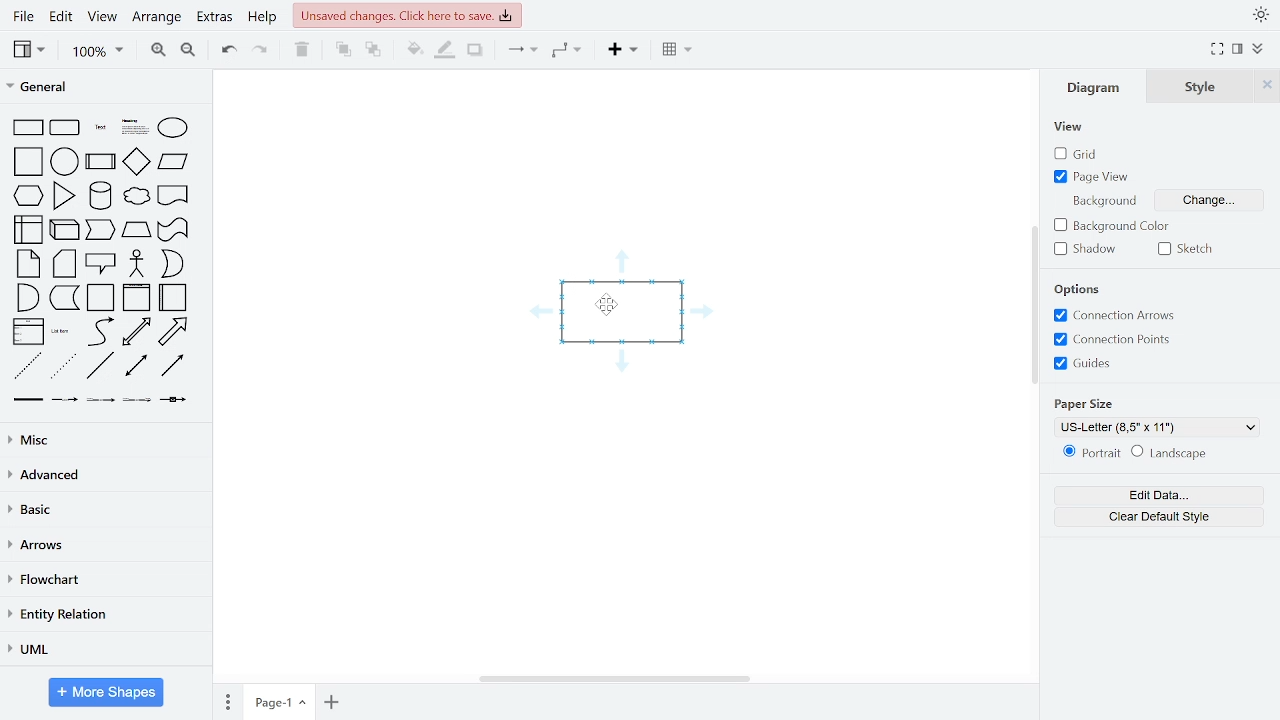  Describe the element at coordinates (175, 400) in the screenshot. I see `connector with symbol` at that location.